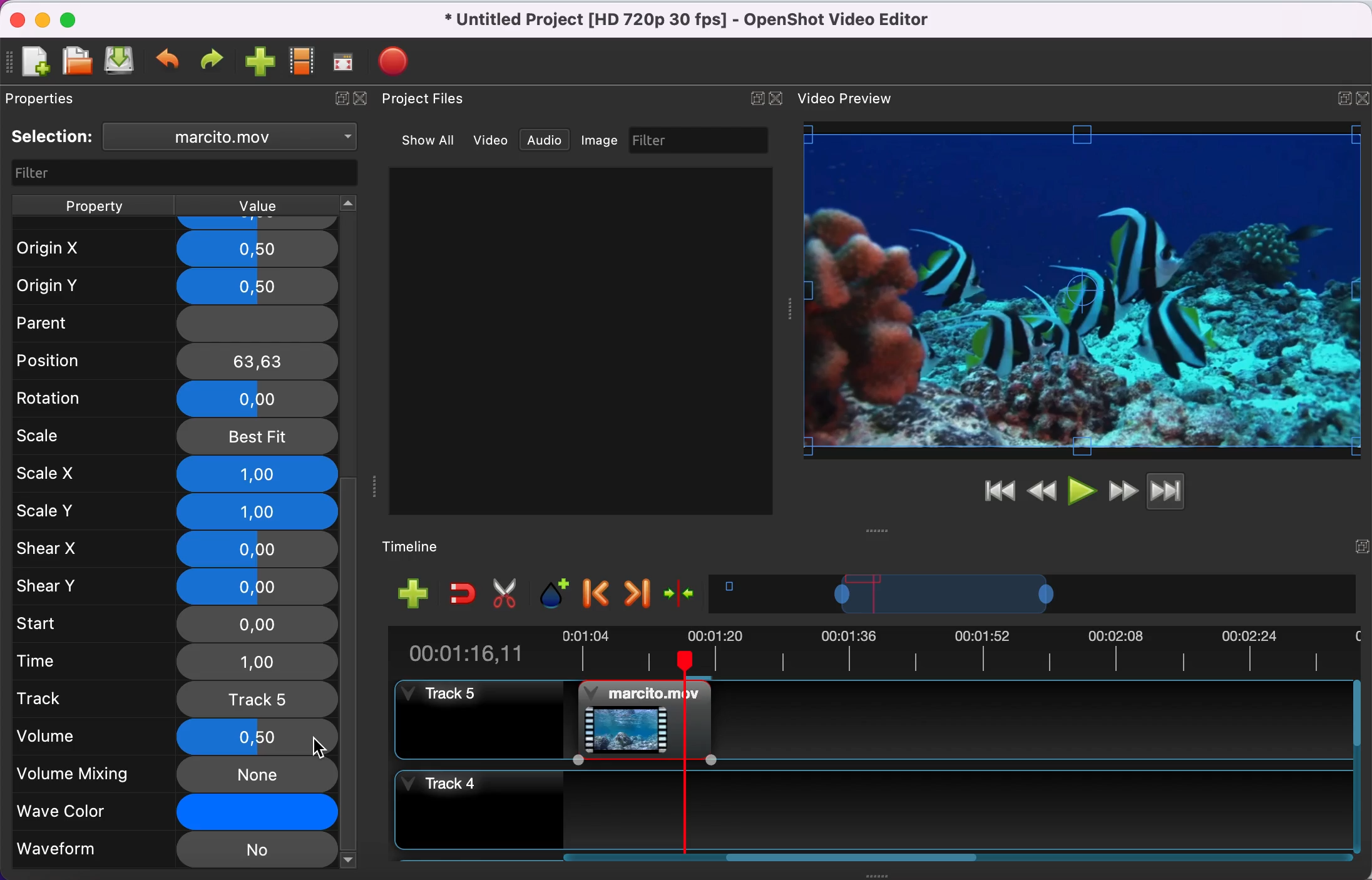 The image size is (1372, 880). Describe the element at coordinates (174, 774) in the screenshot. I see `volume mixing none` at that location.